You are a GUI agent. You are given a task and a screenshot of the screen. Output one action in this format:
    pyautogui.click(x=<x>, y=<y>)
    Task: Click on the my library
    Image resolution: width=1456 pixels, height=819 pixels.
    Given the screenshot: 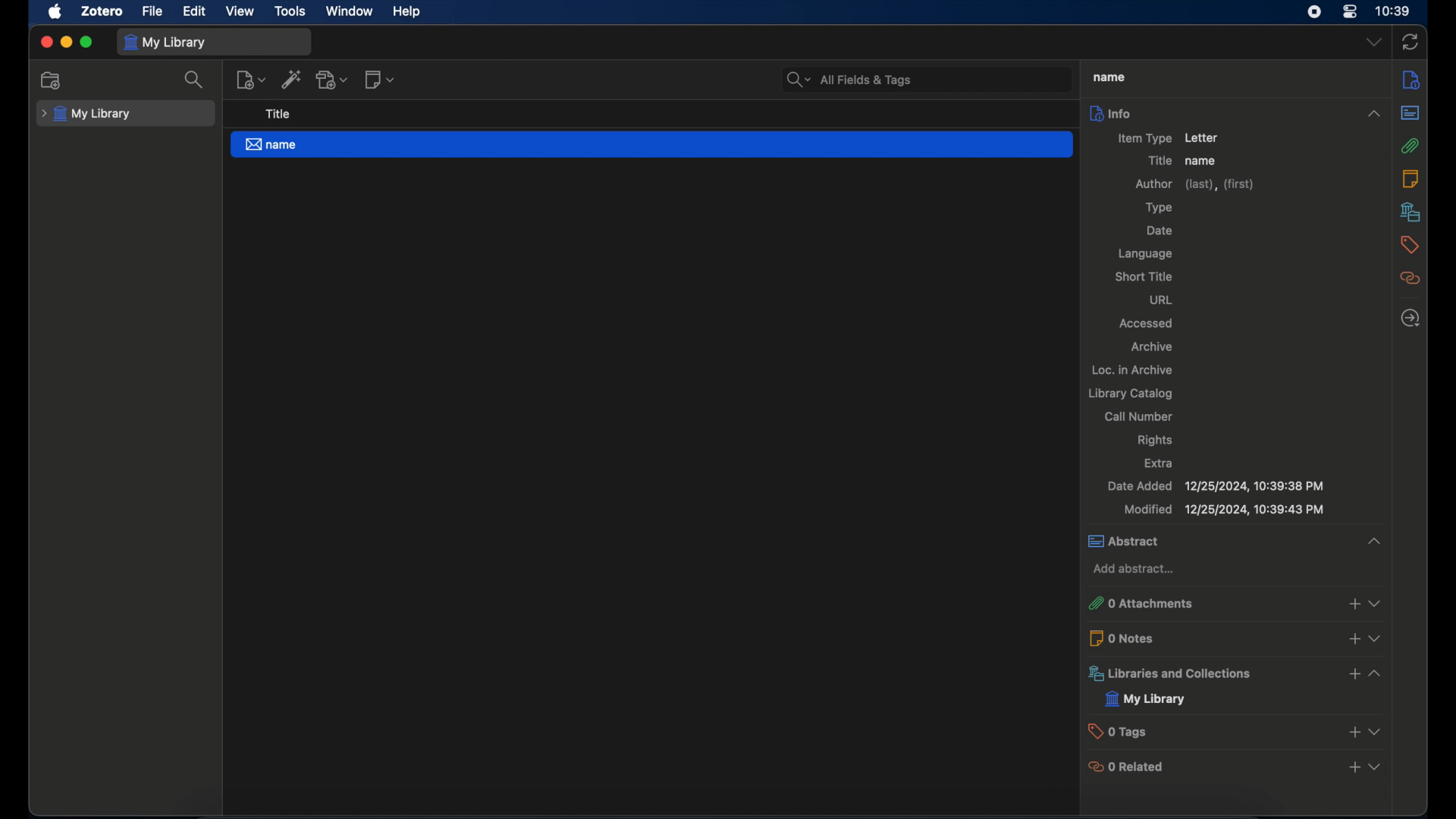 What is the action you would take?
    pyautogui.click(x=86, y=114)
    